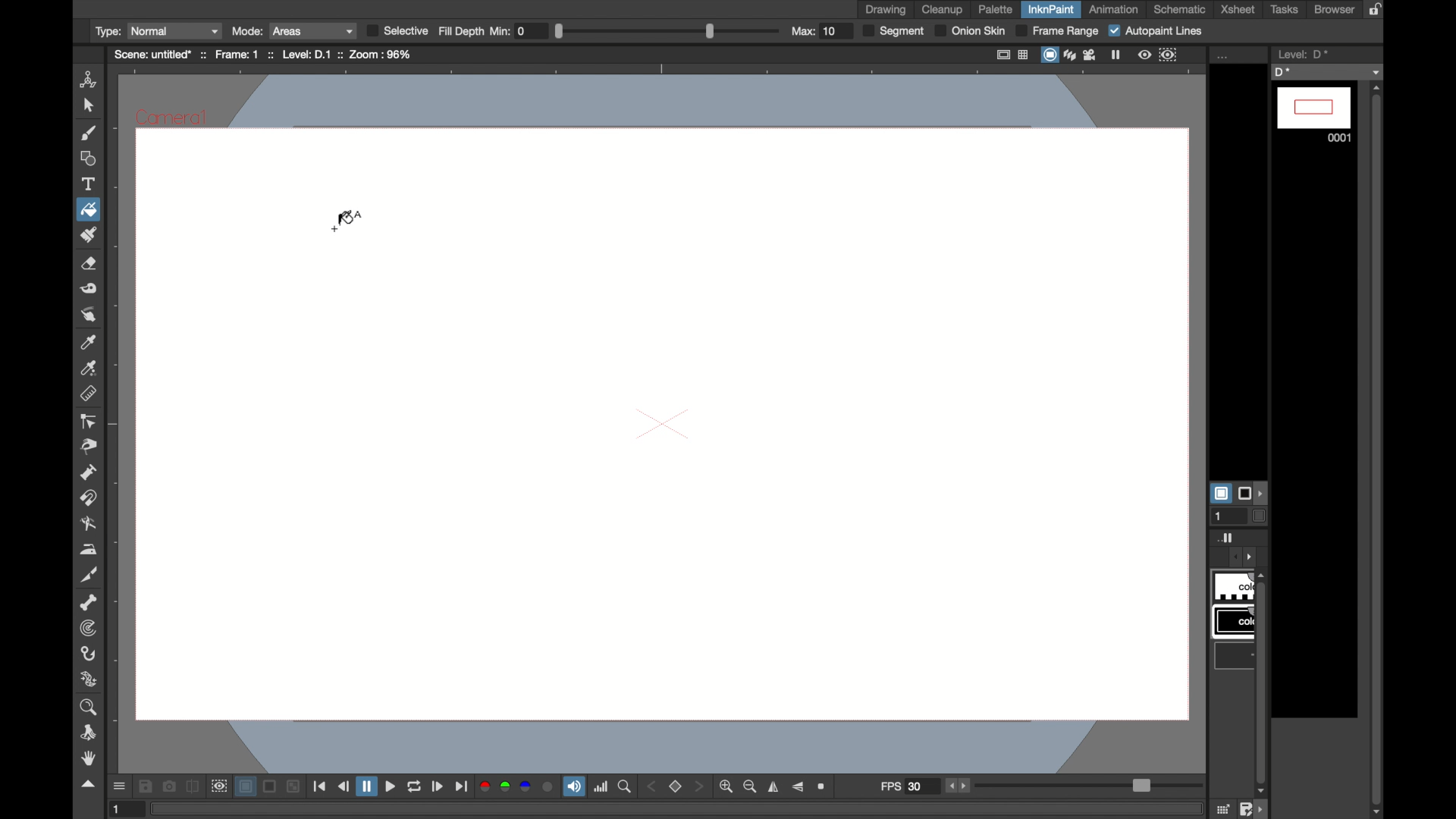 Image resolution: width=1456 pixels, height=819 pixels. What do you see at coordinates (1119, 55) in the screenshot?
I see `pause` at bounding box center [1119, 55].